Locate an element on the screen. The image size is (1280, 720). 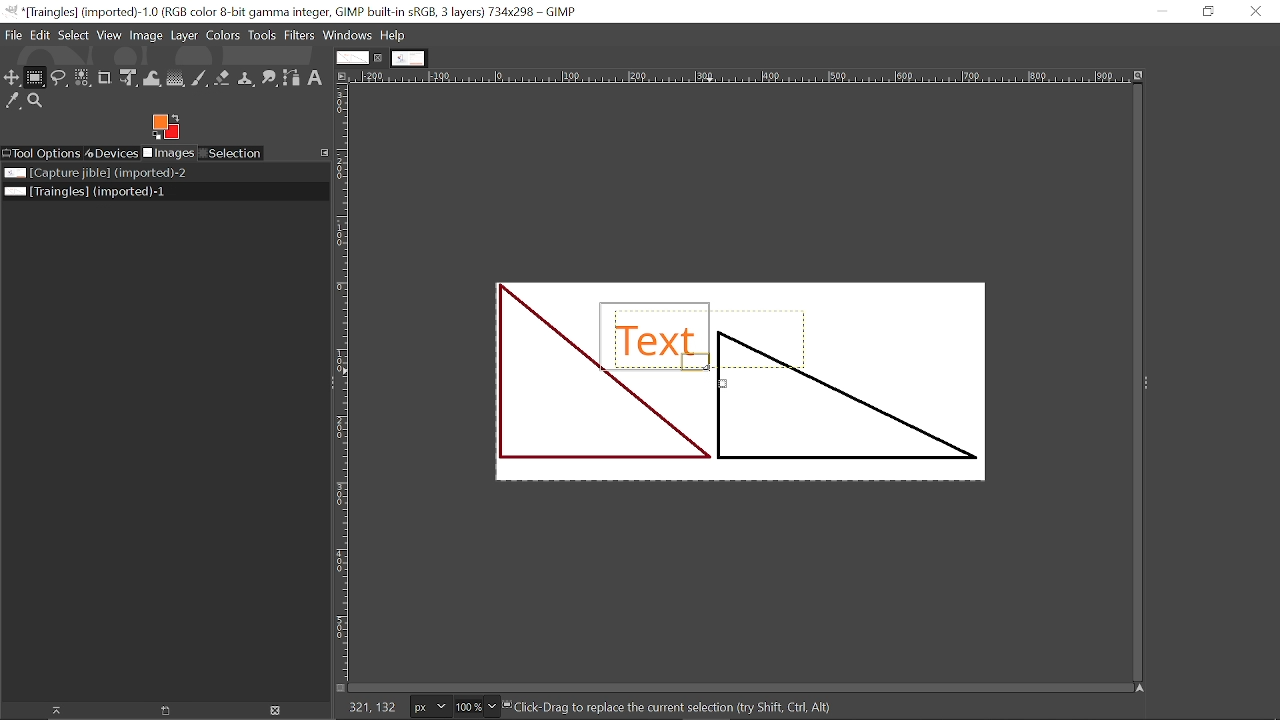
Wrap text tool is located at coordinates (152, 78).